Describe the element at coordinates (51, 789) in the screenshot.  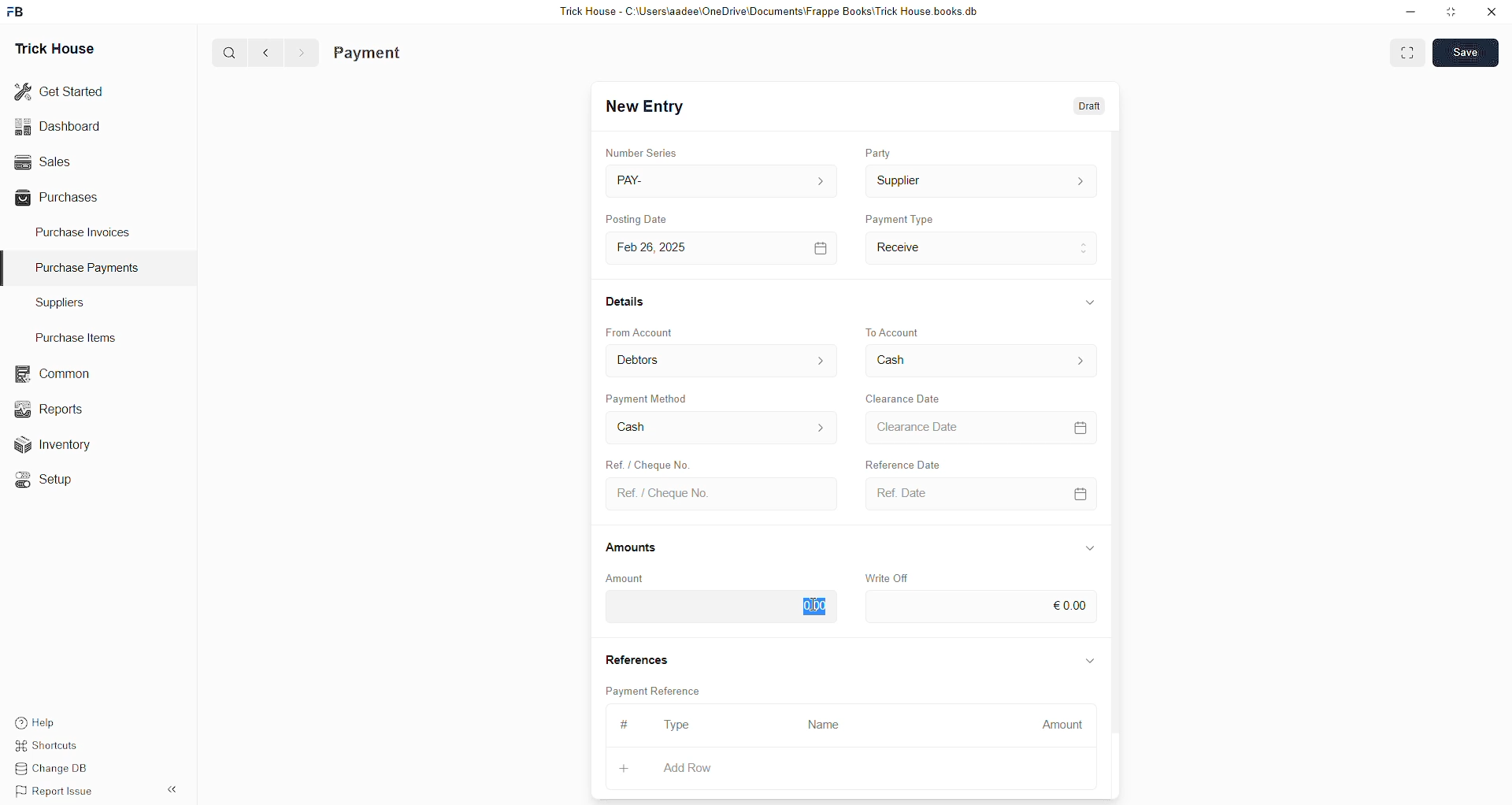
I see `Report Issue` at that location.